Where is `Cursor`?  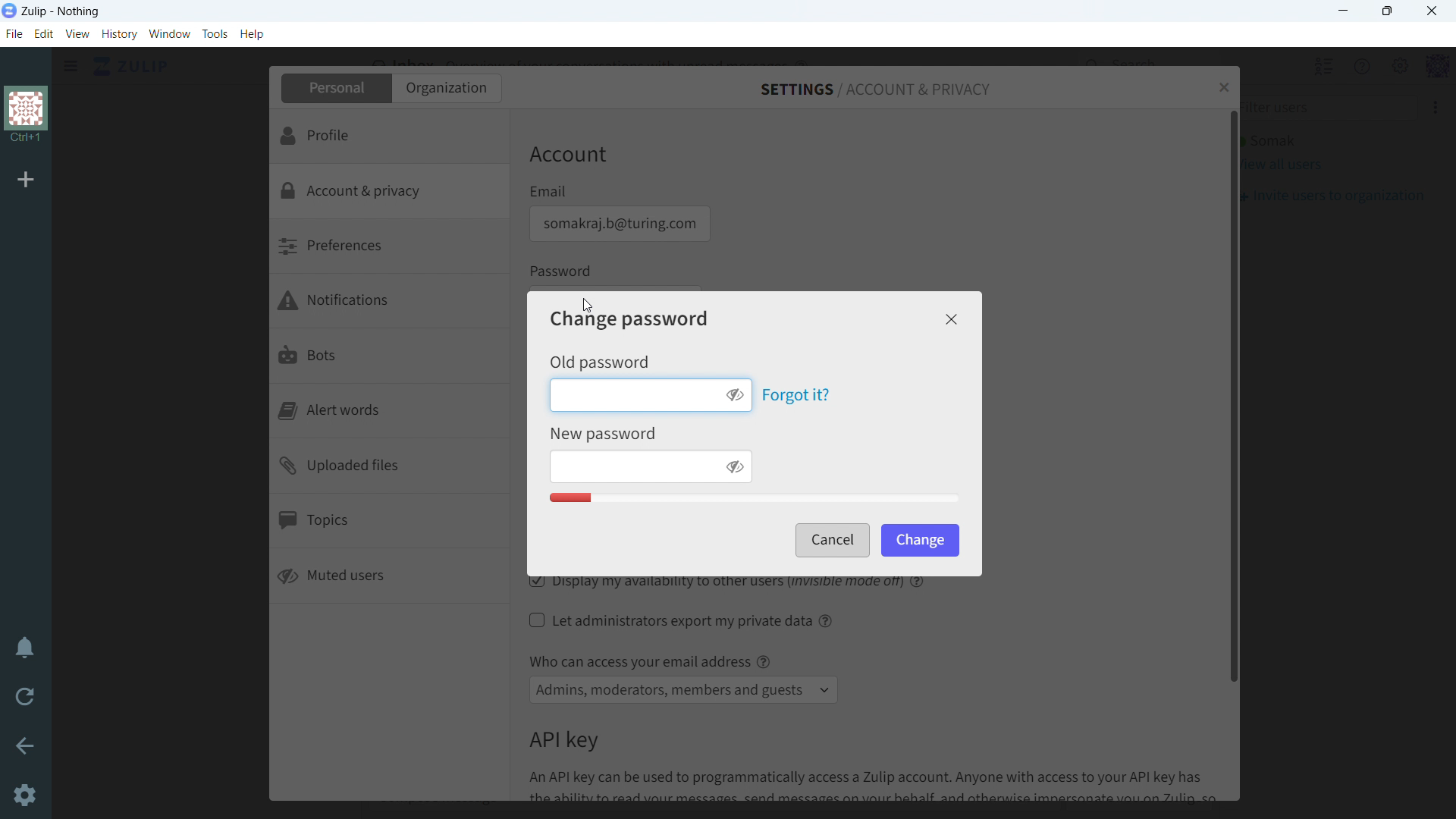 Cursor is located at coordinates (587, 305).